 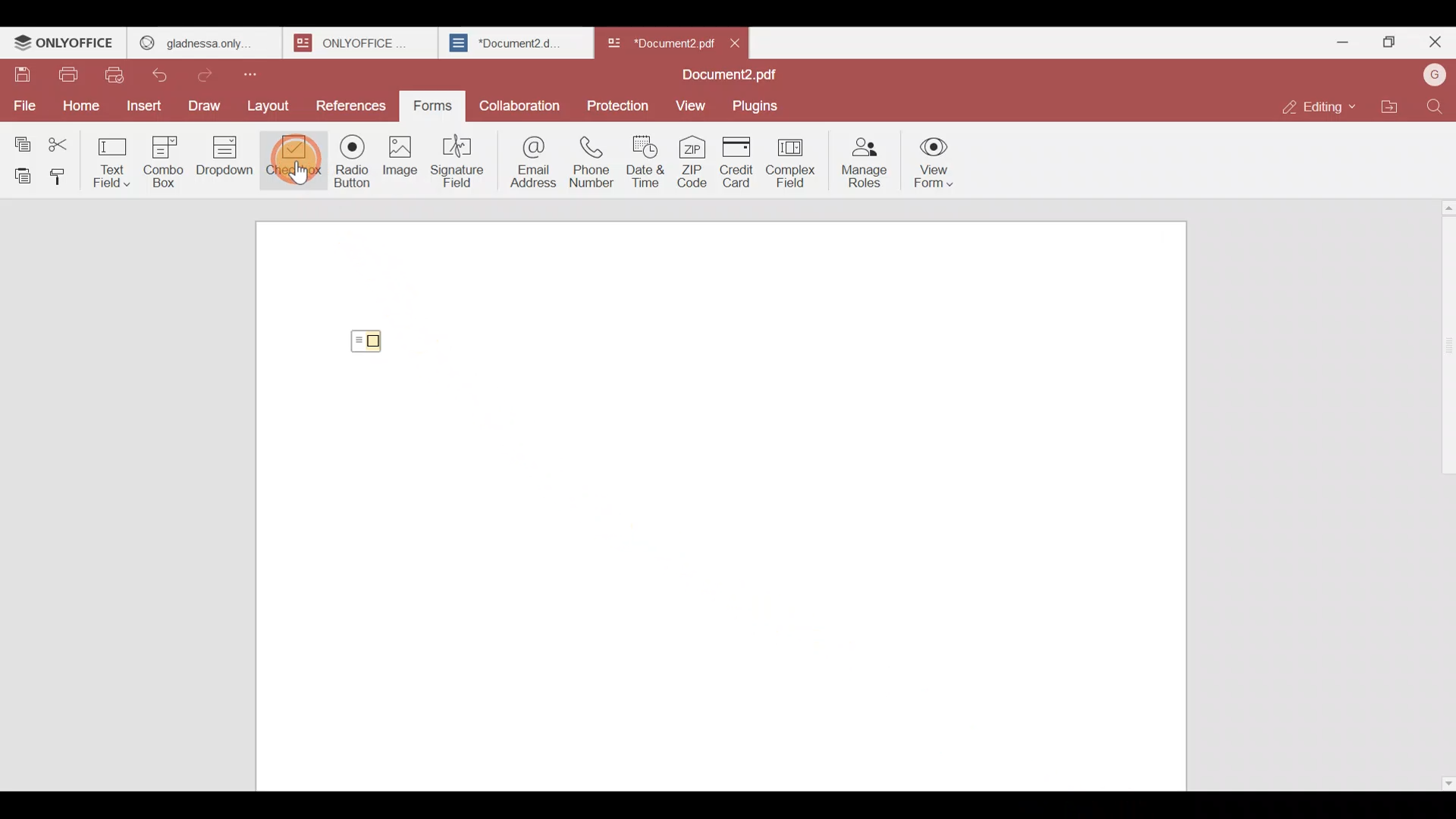 I want to click on References, so click(x=351, y=105).